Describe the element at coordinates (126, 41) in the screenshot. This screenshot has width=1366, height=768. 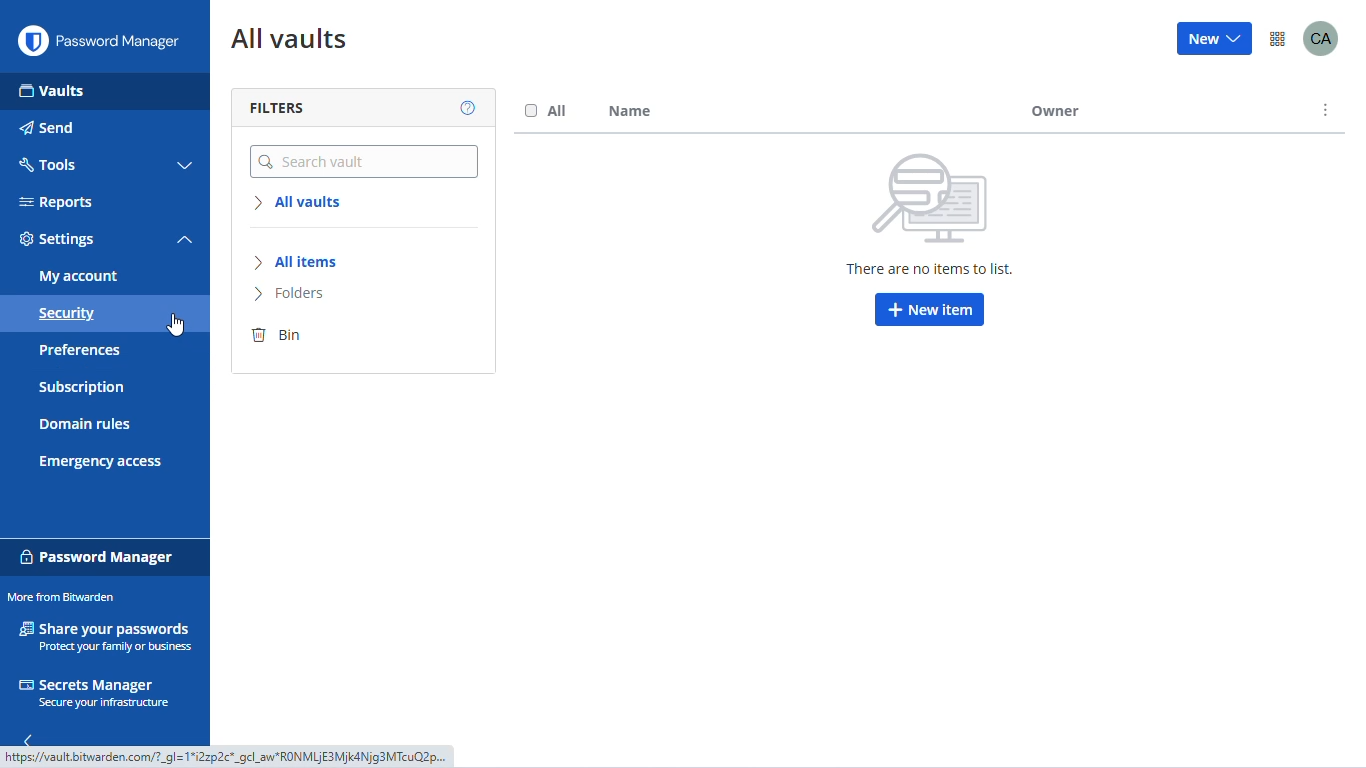
I see `password manager` at that location.